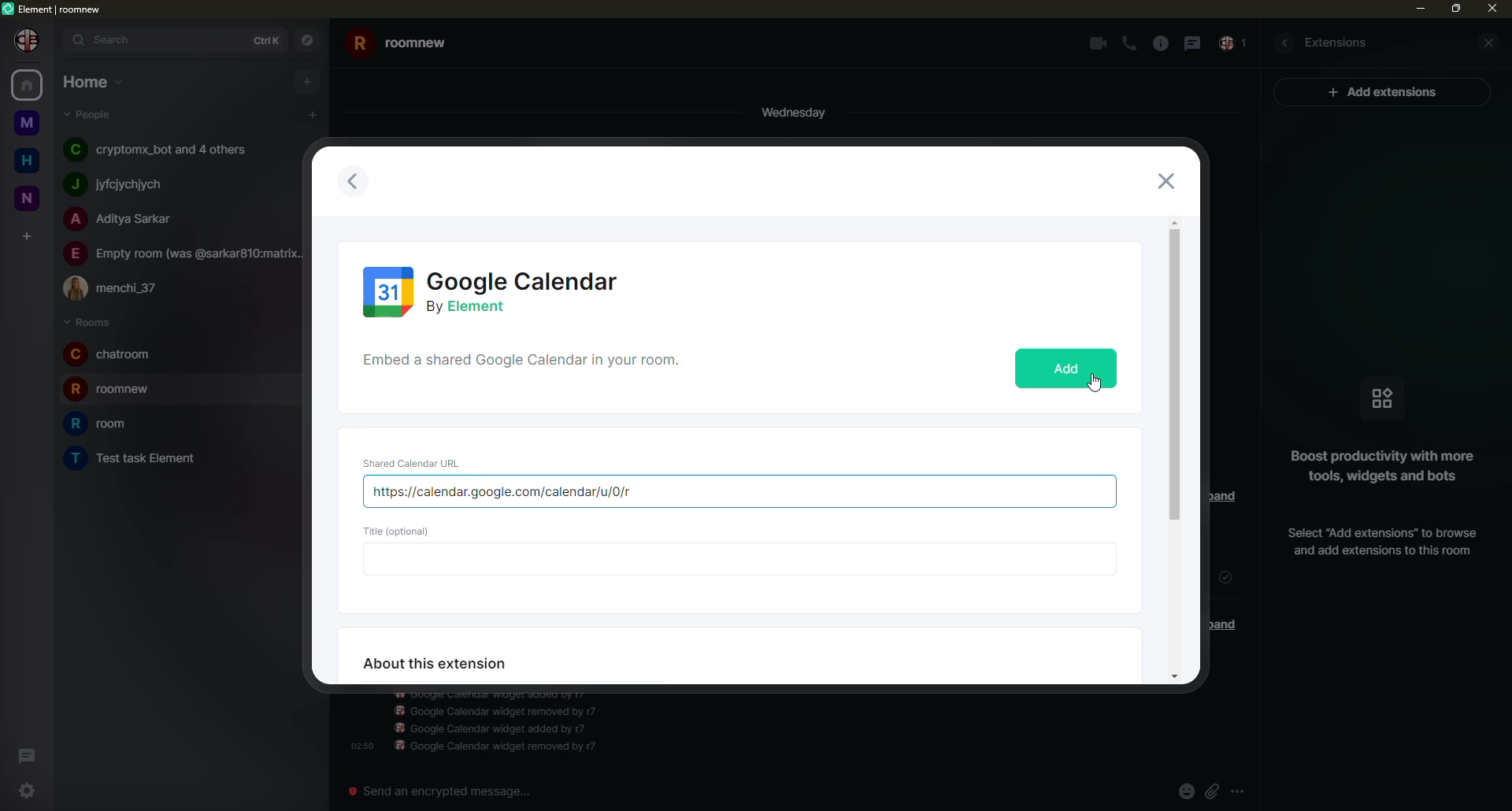 This screenshot has width=1512, height=811. I want to click on close, so click(1493, 11).